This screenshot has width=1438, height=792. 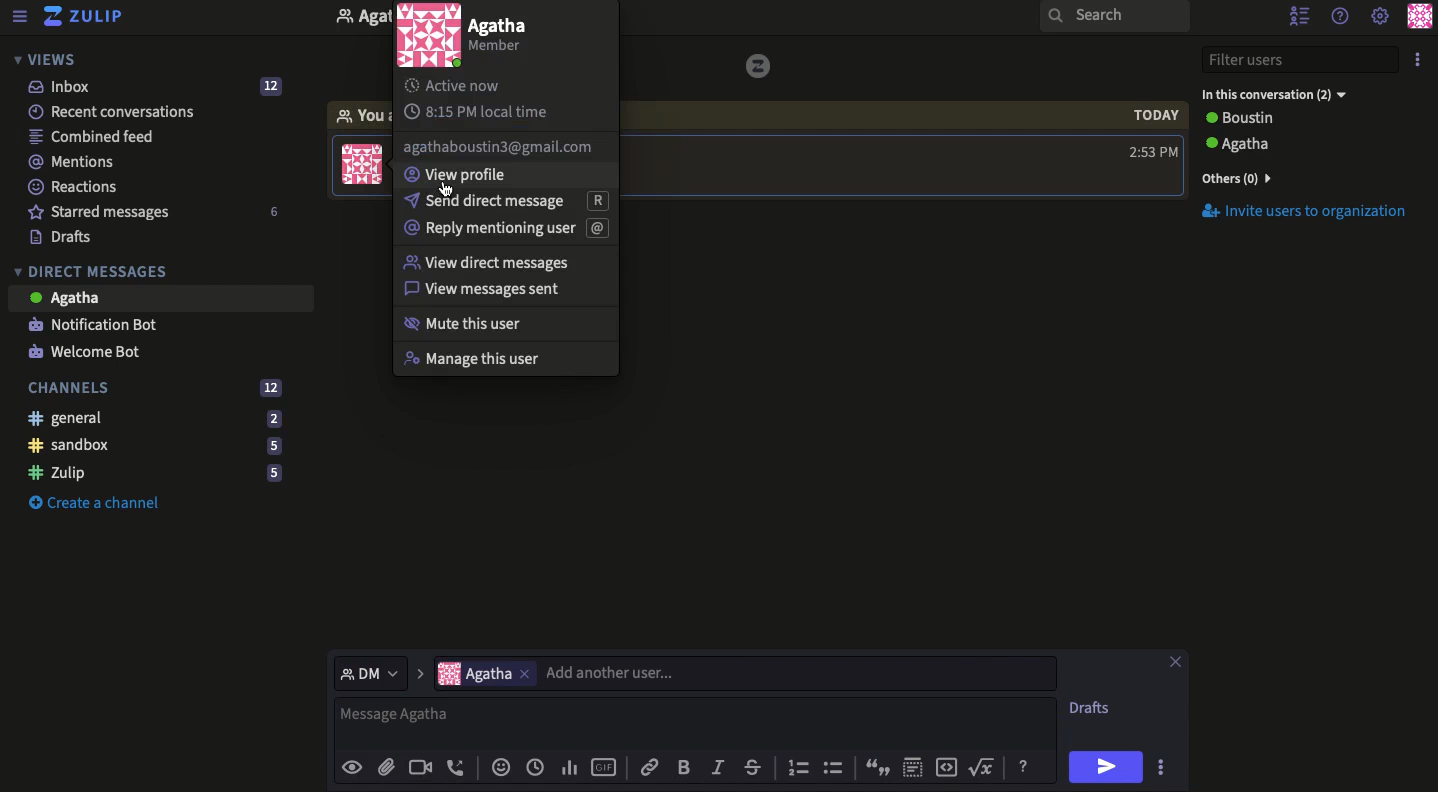 What do you see at coordinates (159, 446) in the screenshot?
I see `Sandbox` at bounding box center [159, 446].